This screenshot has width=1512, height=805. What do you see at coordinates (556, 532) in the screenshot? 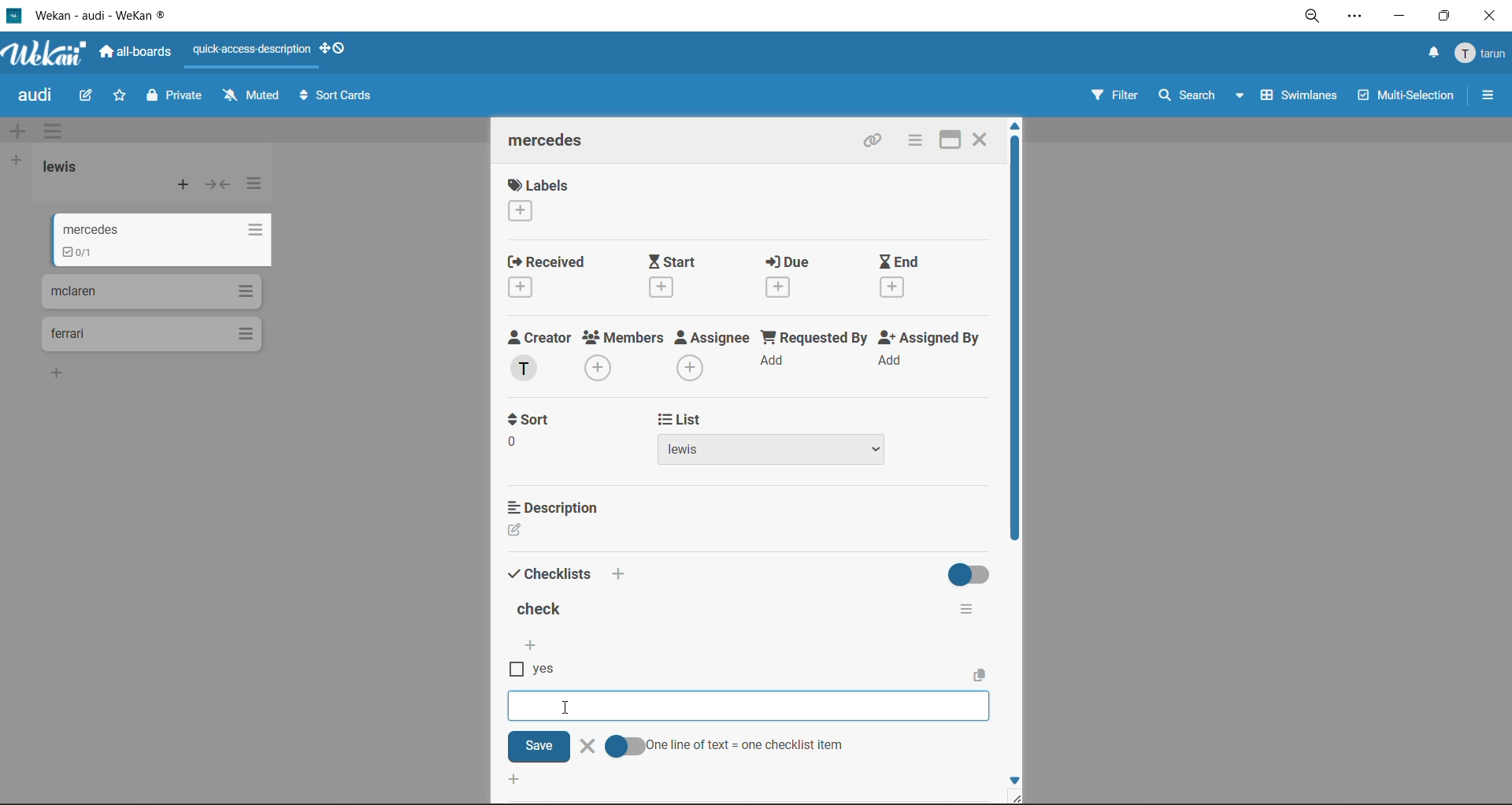
I see `description` at bounding box center [556, 532].